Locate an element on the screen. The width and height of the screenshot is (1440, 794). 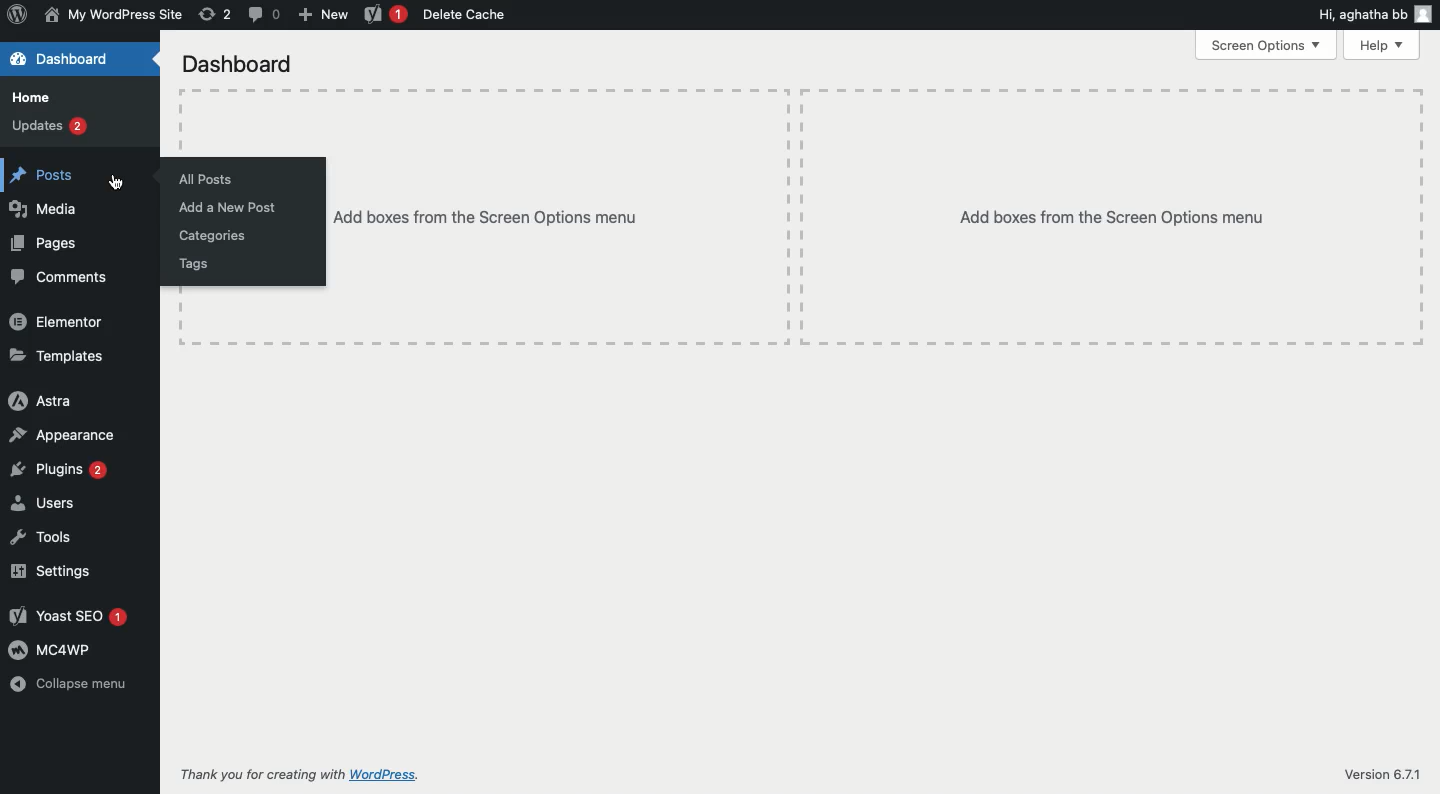
Categories is located at coordinates (209, 237).